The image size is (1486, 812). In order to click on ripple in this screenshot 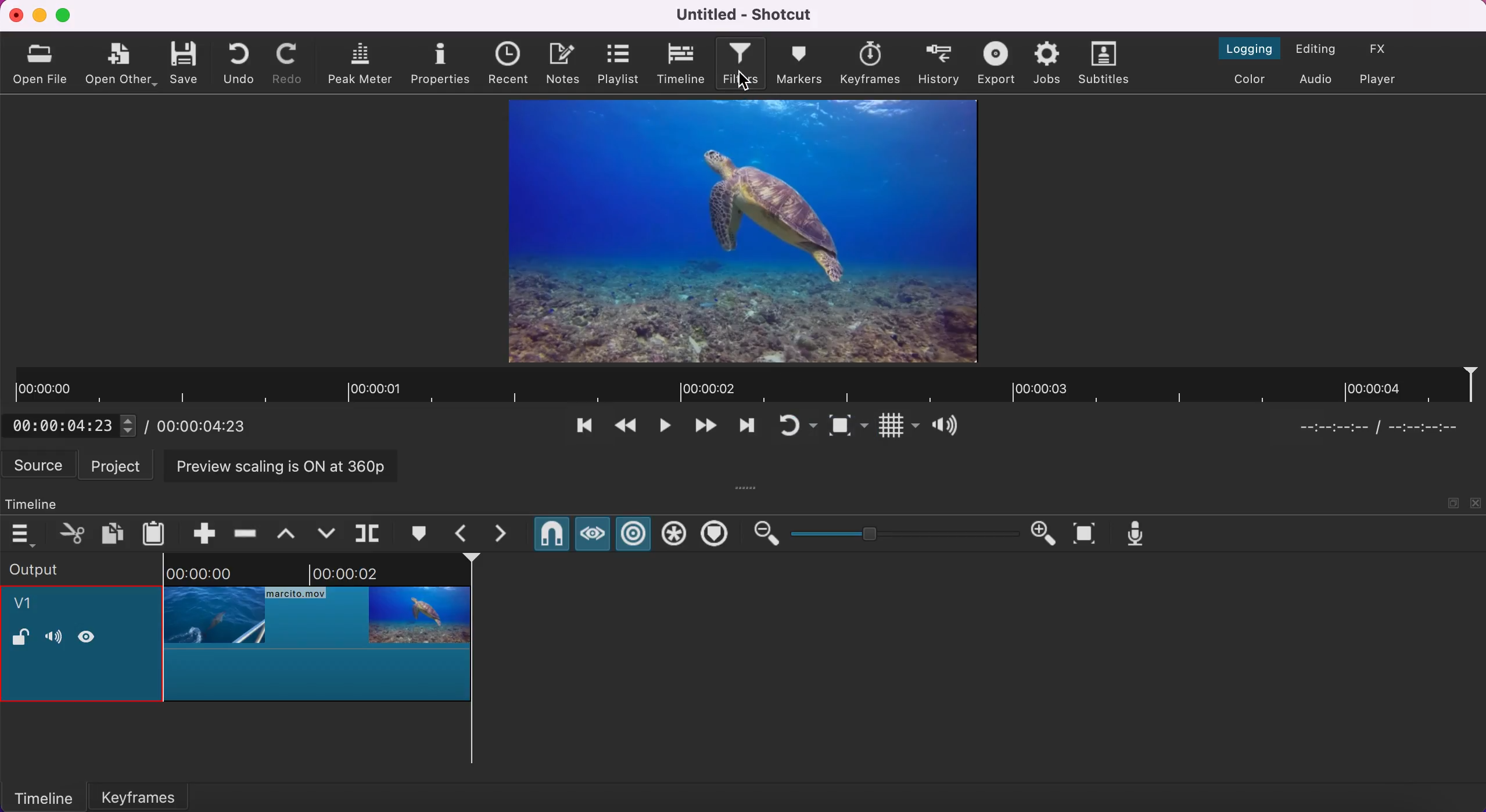, I will do `click(634, 535)`.